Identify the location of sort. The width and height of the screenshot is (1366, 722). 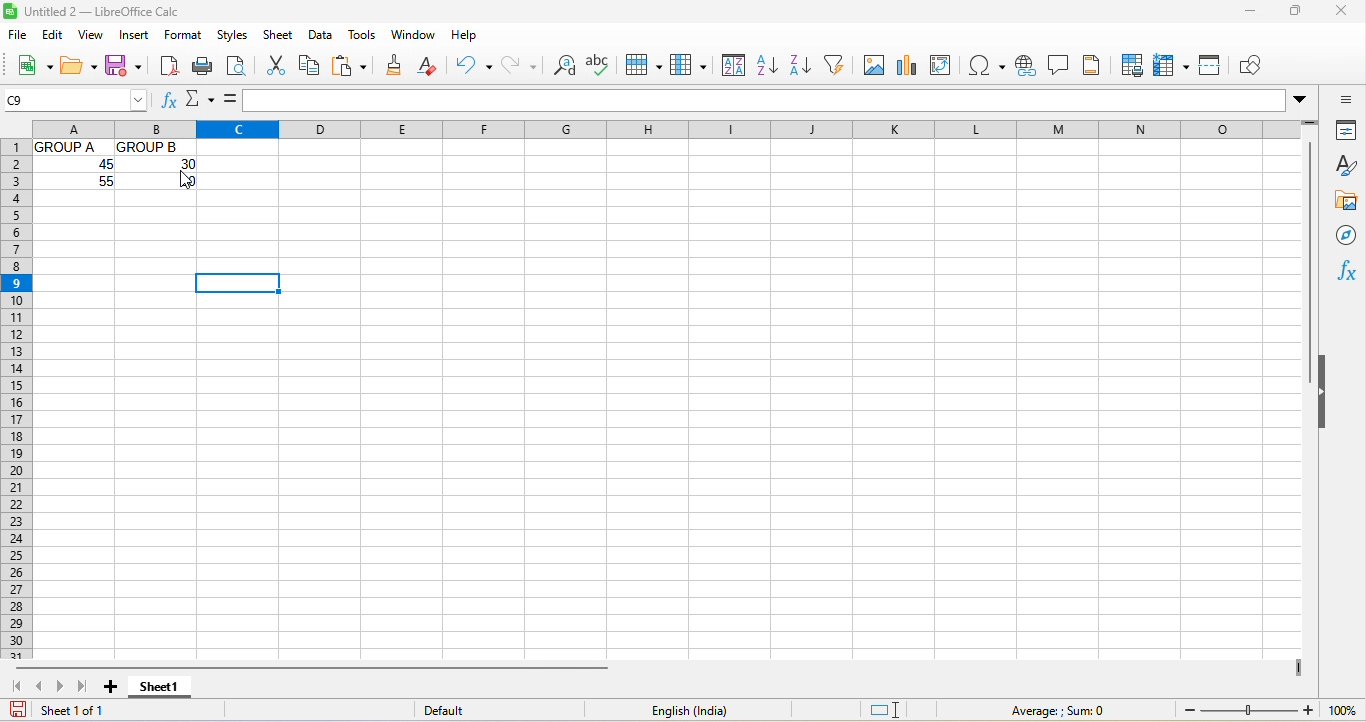
(730, 66).